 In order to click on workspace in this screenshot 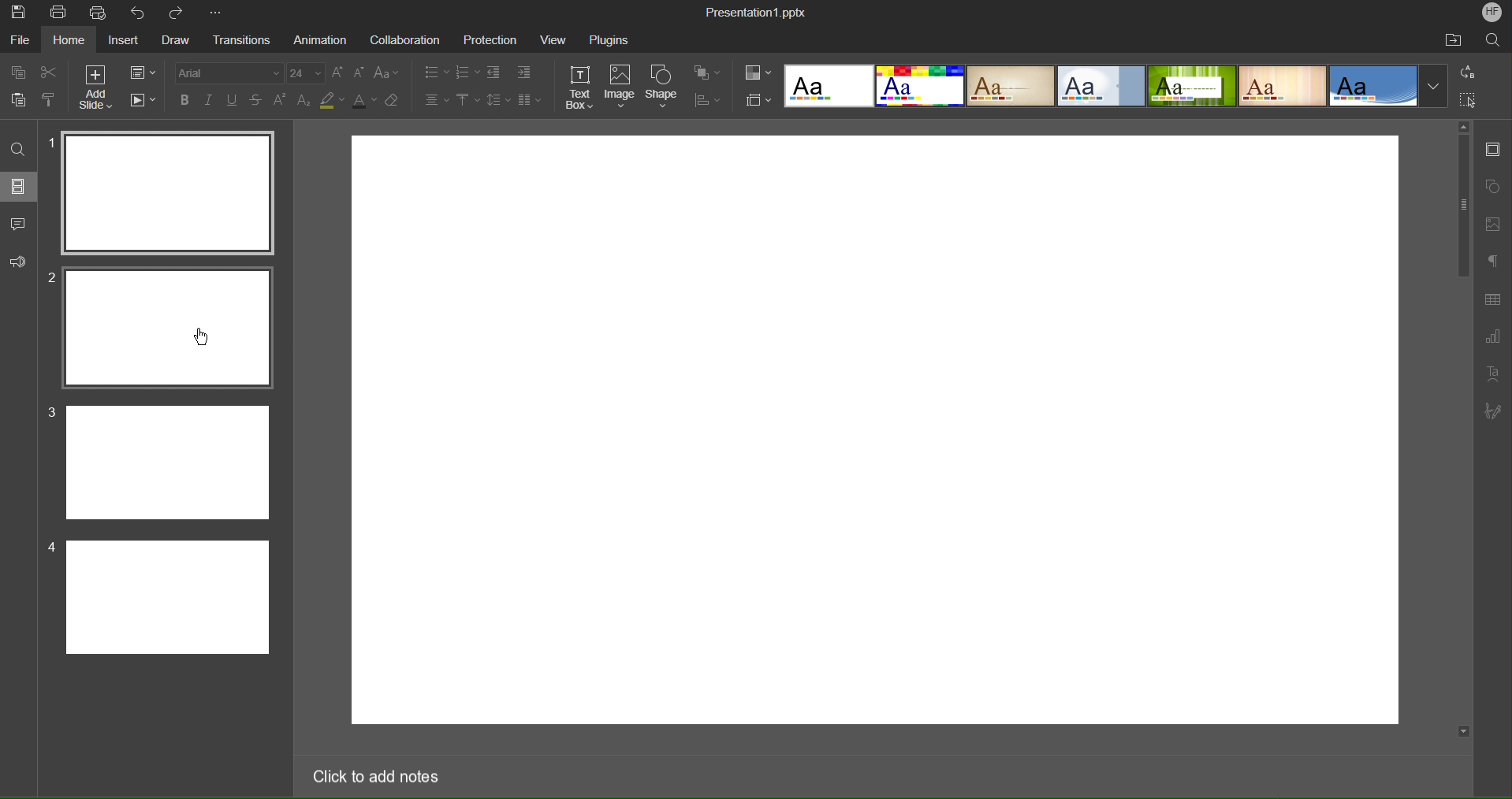, I will do `click(875, 429)`.